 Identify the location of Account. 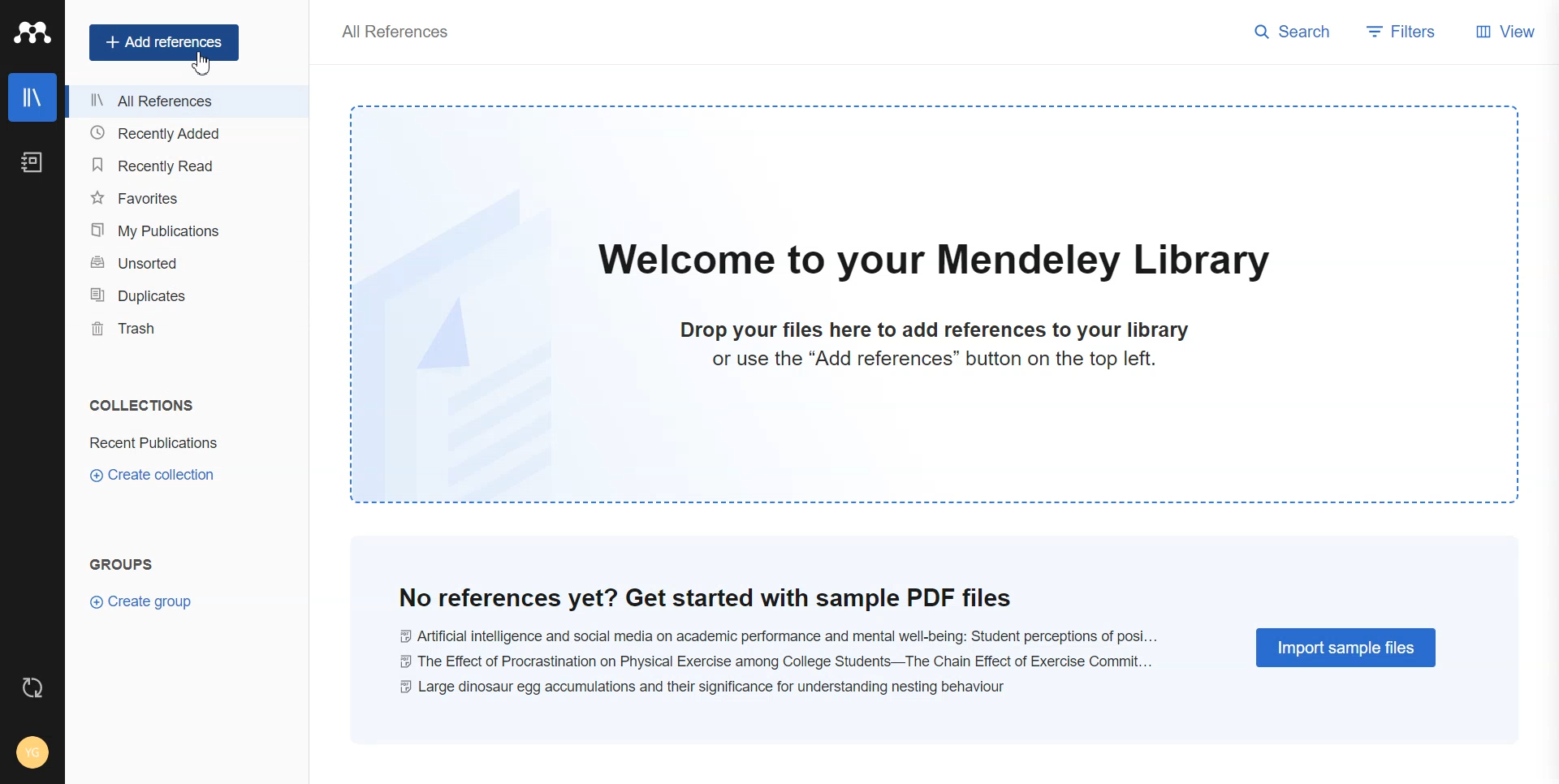
(34, 751).